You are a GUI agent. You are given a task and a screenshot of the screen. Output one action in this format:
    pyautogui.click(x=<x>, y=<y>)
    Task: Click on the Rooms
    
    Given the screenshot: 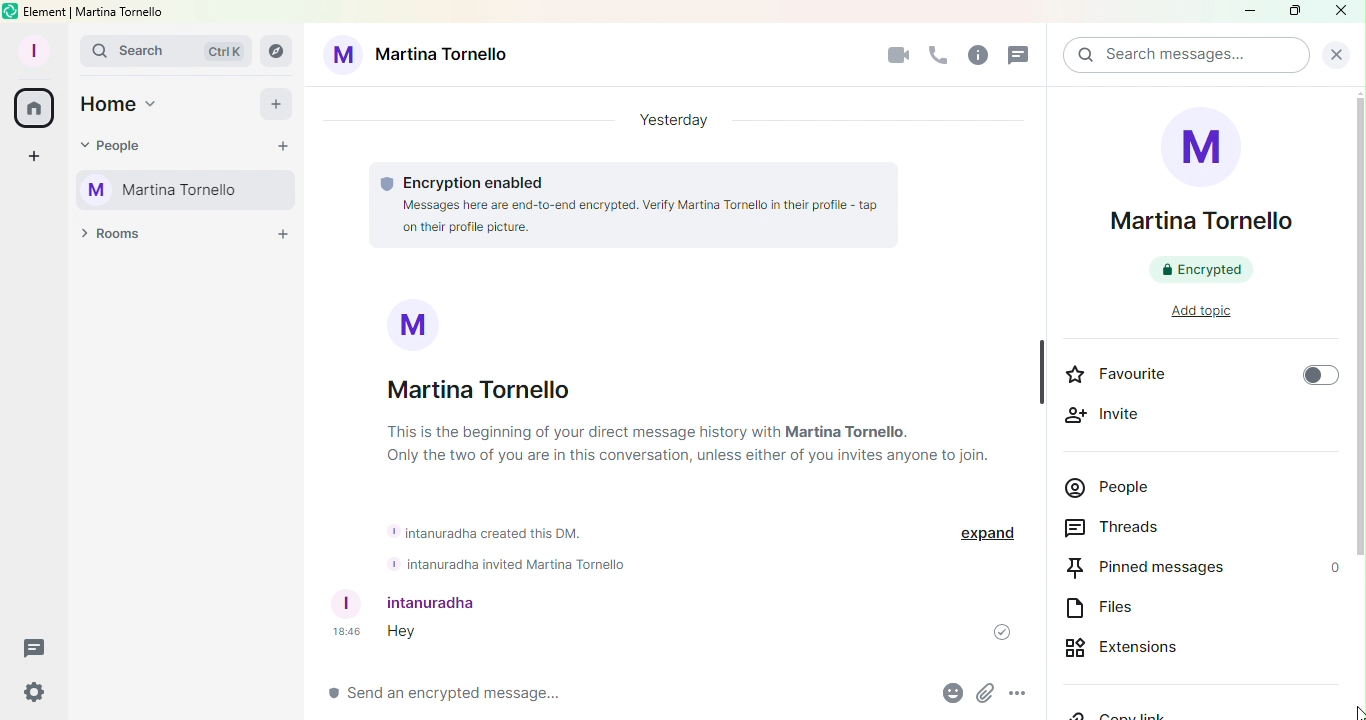 What is the action you would take?
    pyautogui.click(x=108, y=235)
    